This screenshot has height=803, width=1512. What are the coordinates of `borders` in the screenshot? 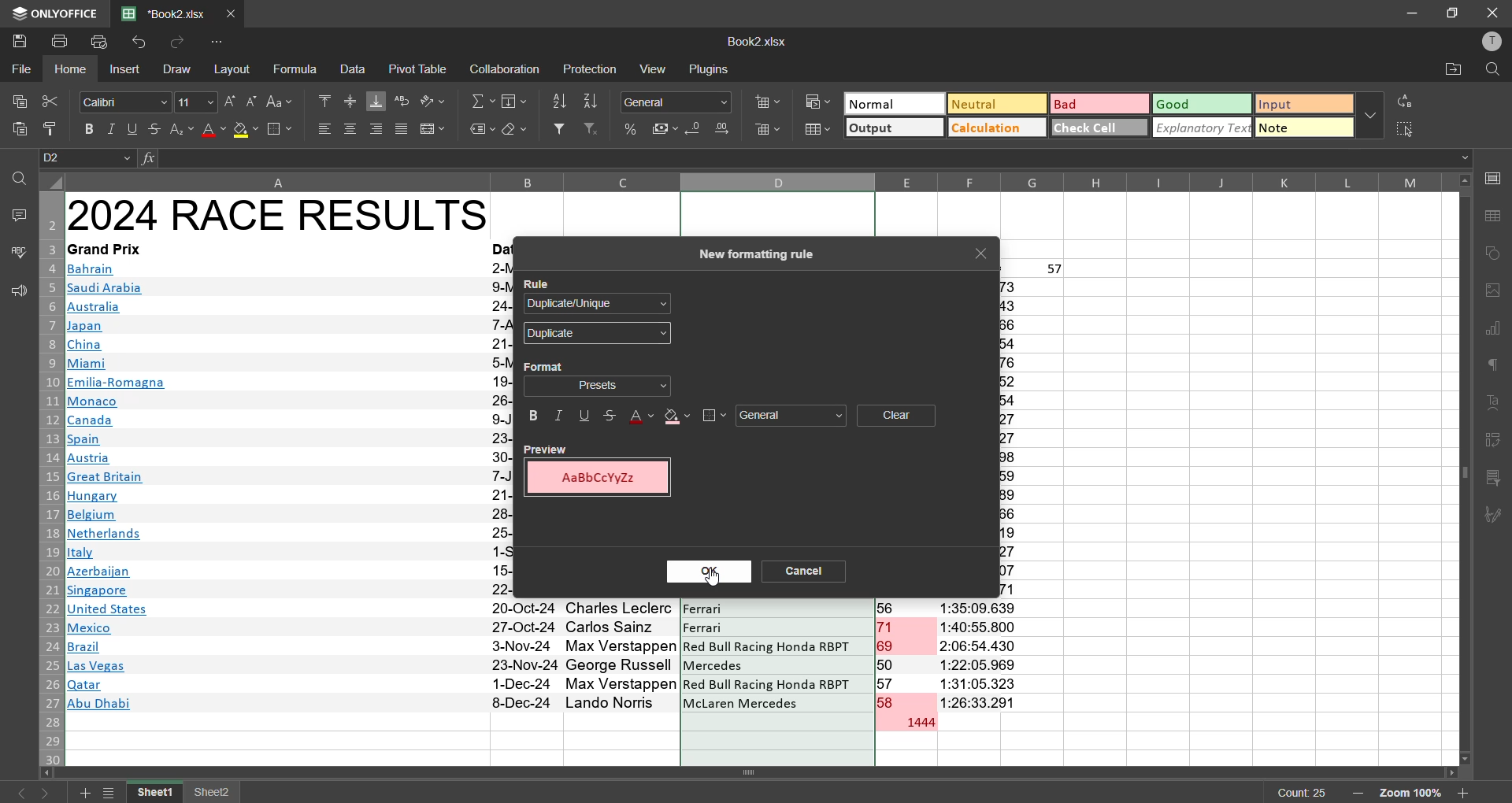 It's located at (713, 416).